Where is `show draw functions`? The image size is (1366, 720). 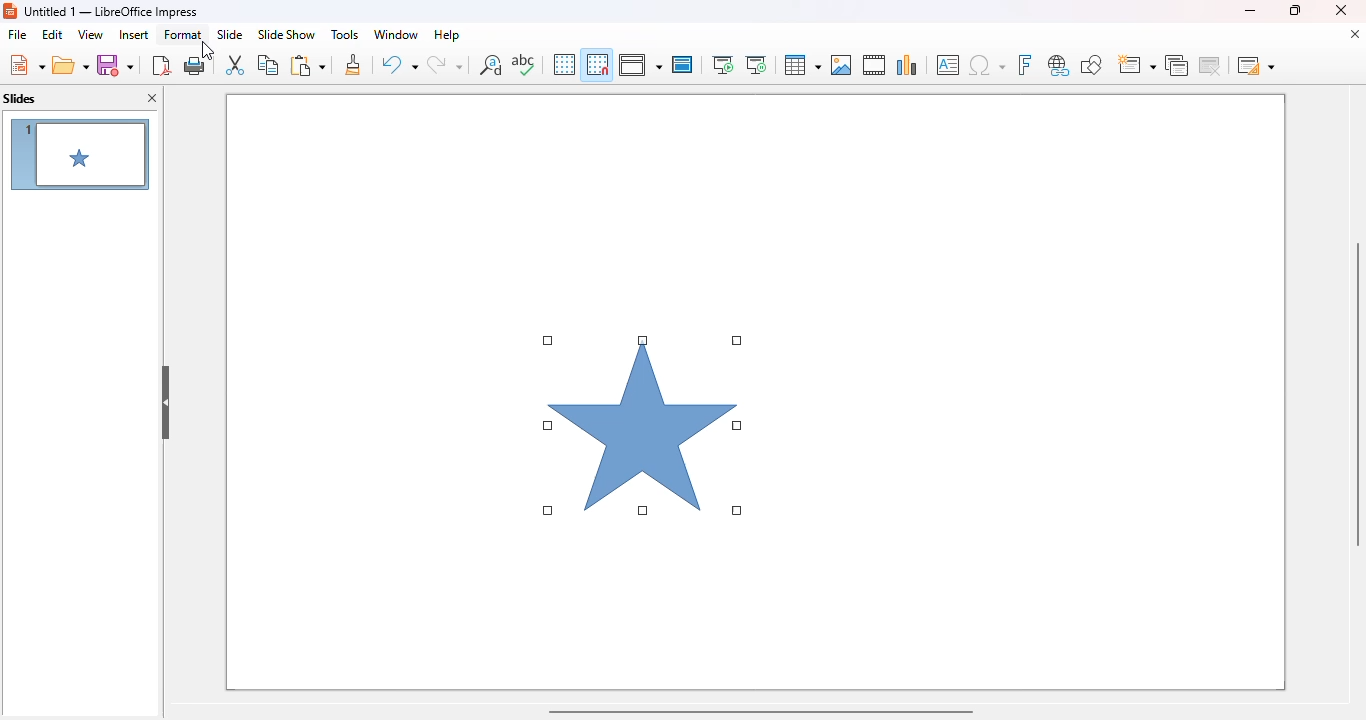 show draw functions is located at coordinates (1090, 64).